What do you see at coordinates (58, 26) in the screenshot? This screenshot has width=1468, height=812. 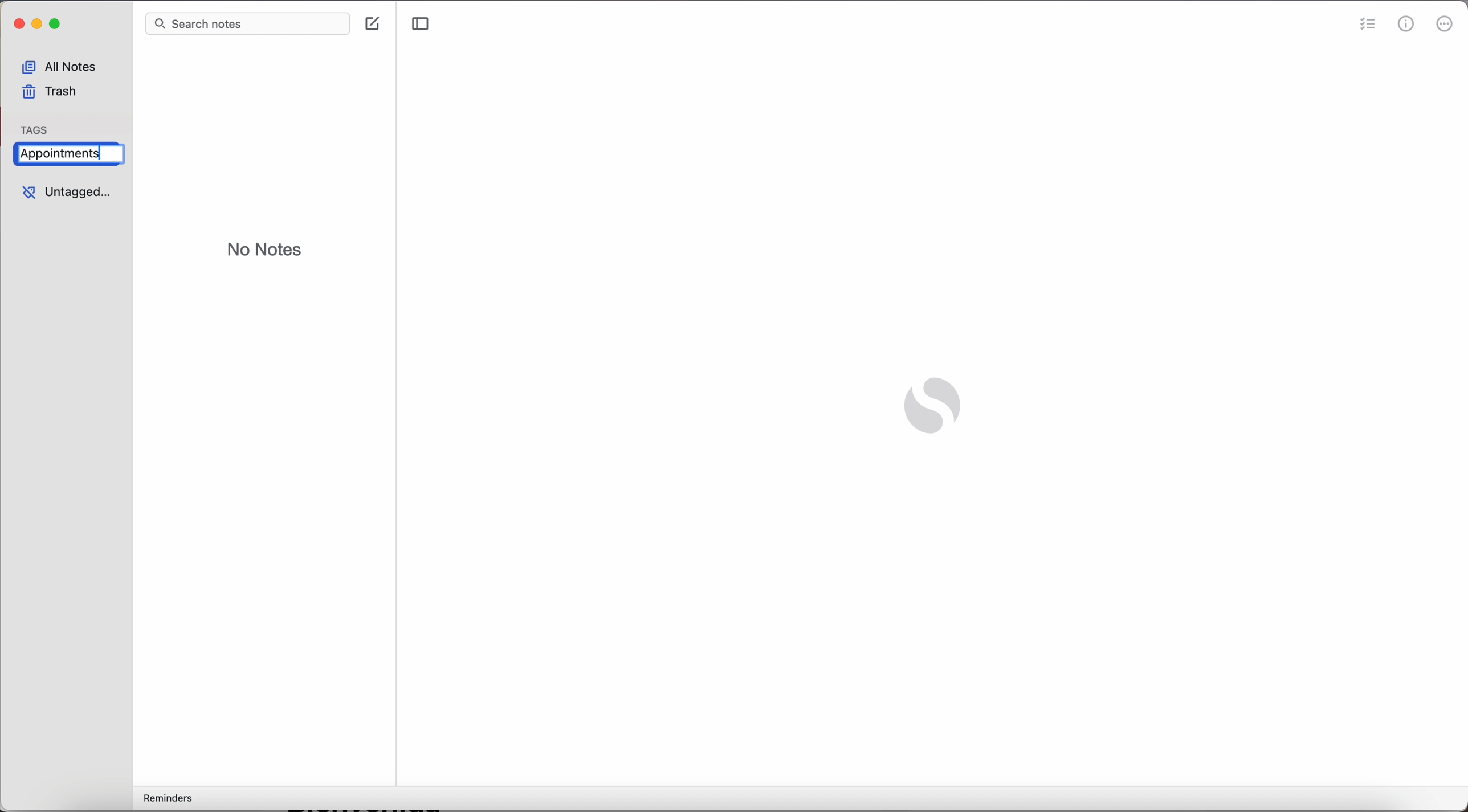 I see `maximize Simplenote` at bounding box center [58, 26].